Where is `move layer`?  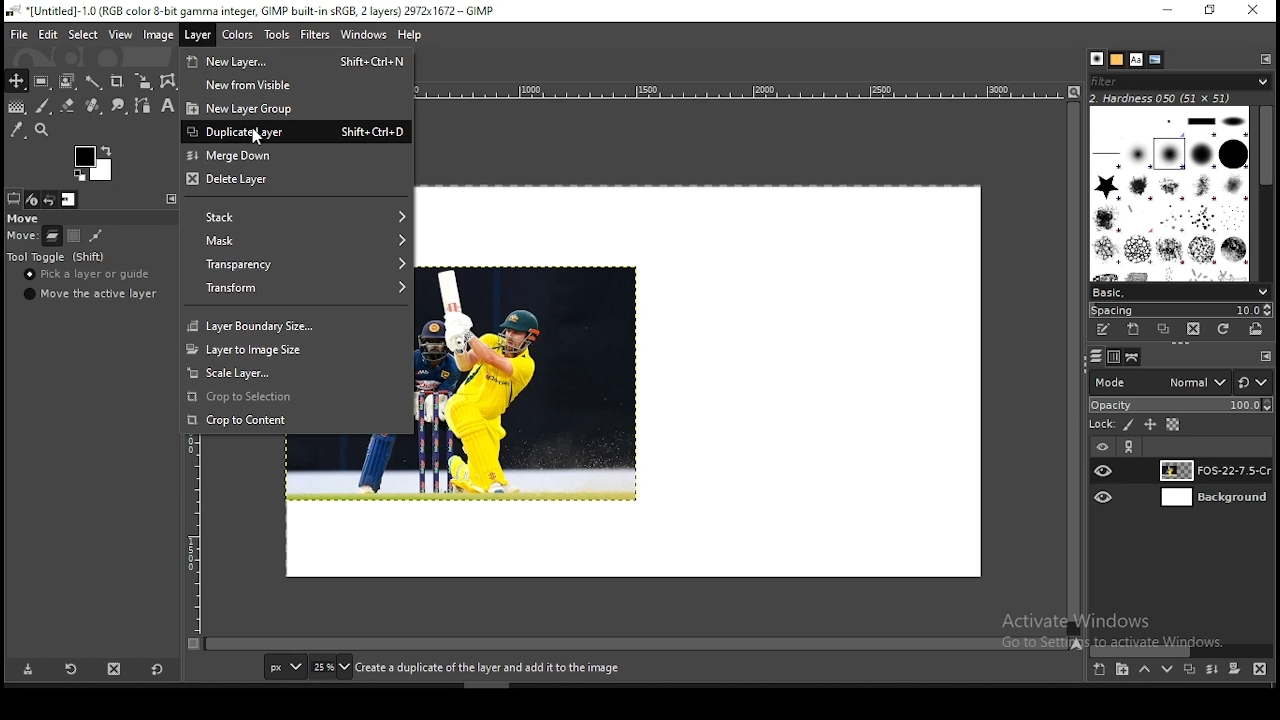 move layer is located at coordinates (52, 236).